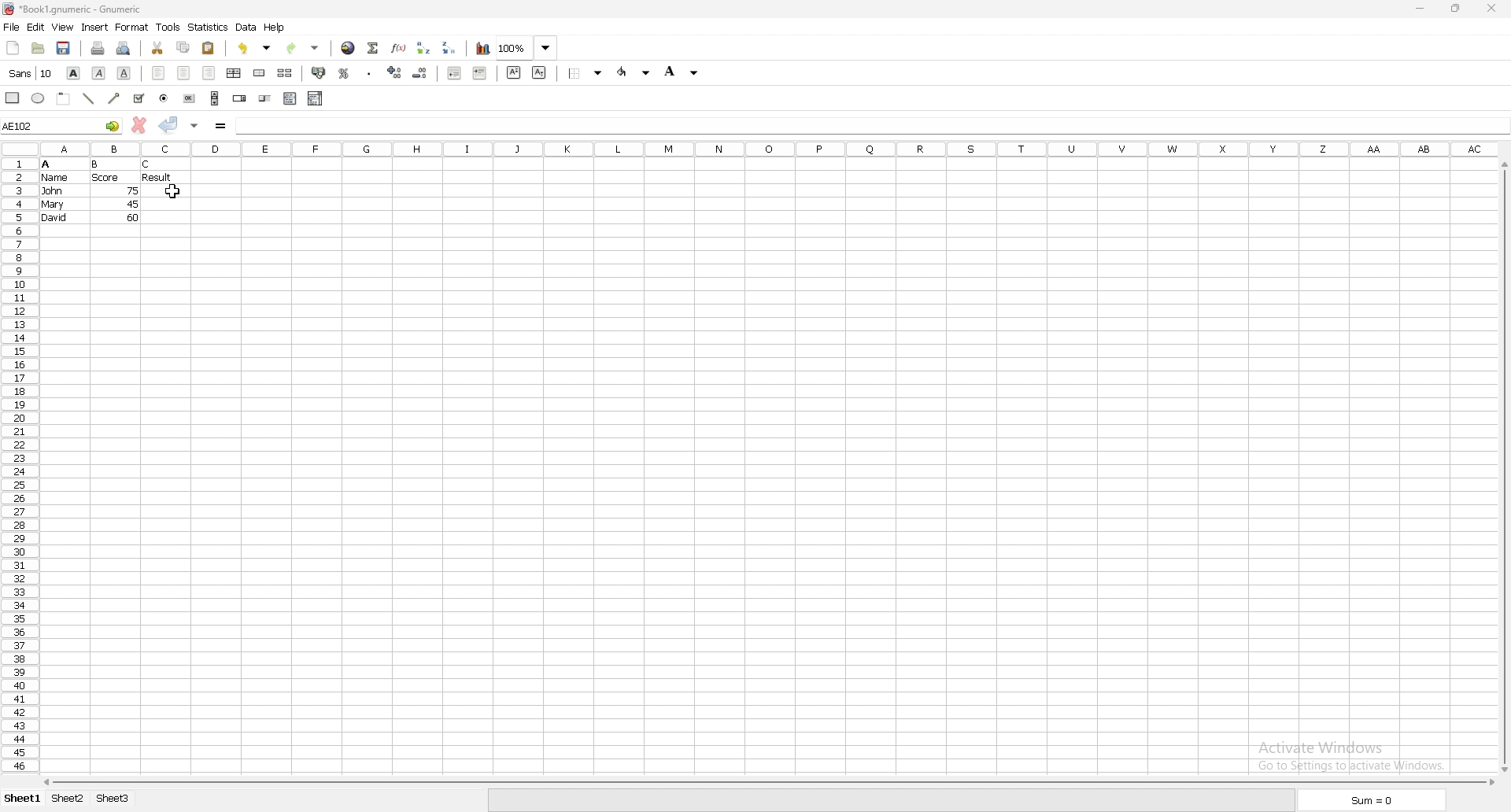  What do you see at coordinates (184, 47) in the screenshot?
I see `copy` at bounding box center [184, 47].